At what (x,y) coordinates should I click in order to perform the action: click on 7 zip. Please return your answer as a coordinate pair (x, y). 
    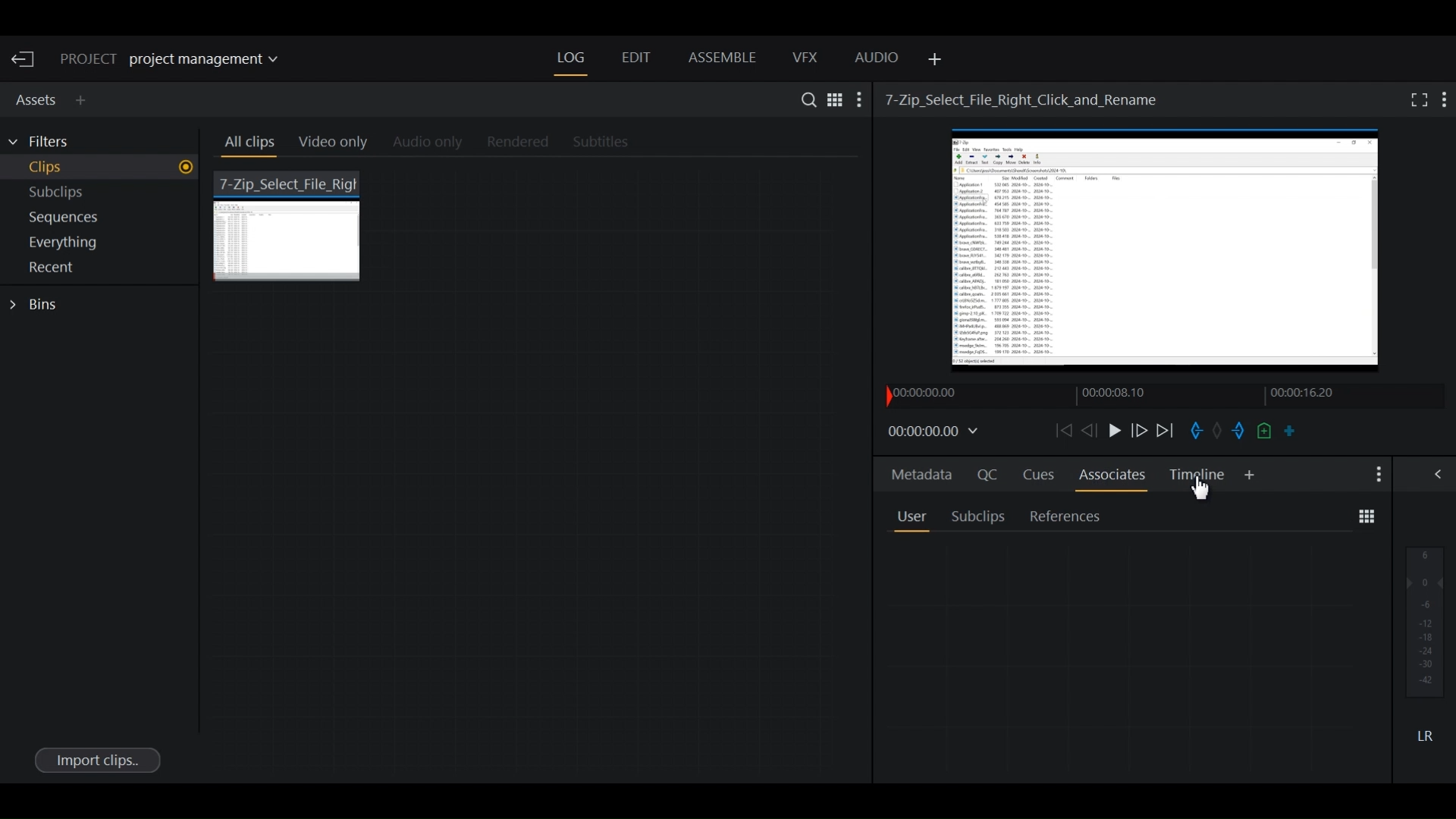
    Looking at the image, I should click on (290, 224).